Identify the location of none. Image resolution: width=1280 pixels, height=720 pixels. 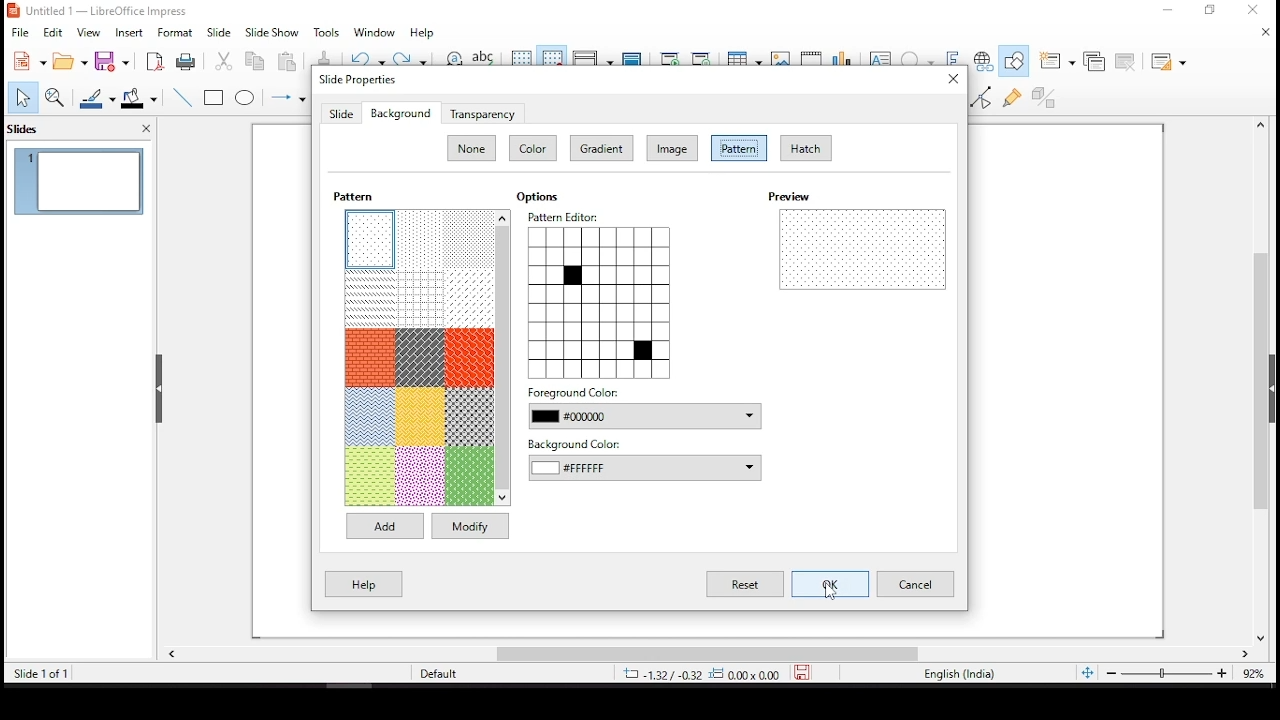
(471, 147).